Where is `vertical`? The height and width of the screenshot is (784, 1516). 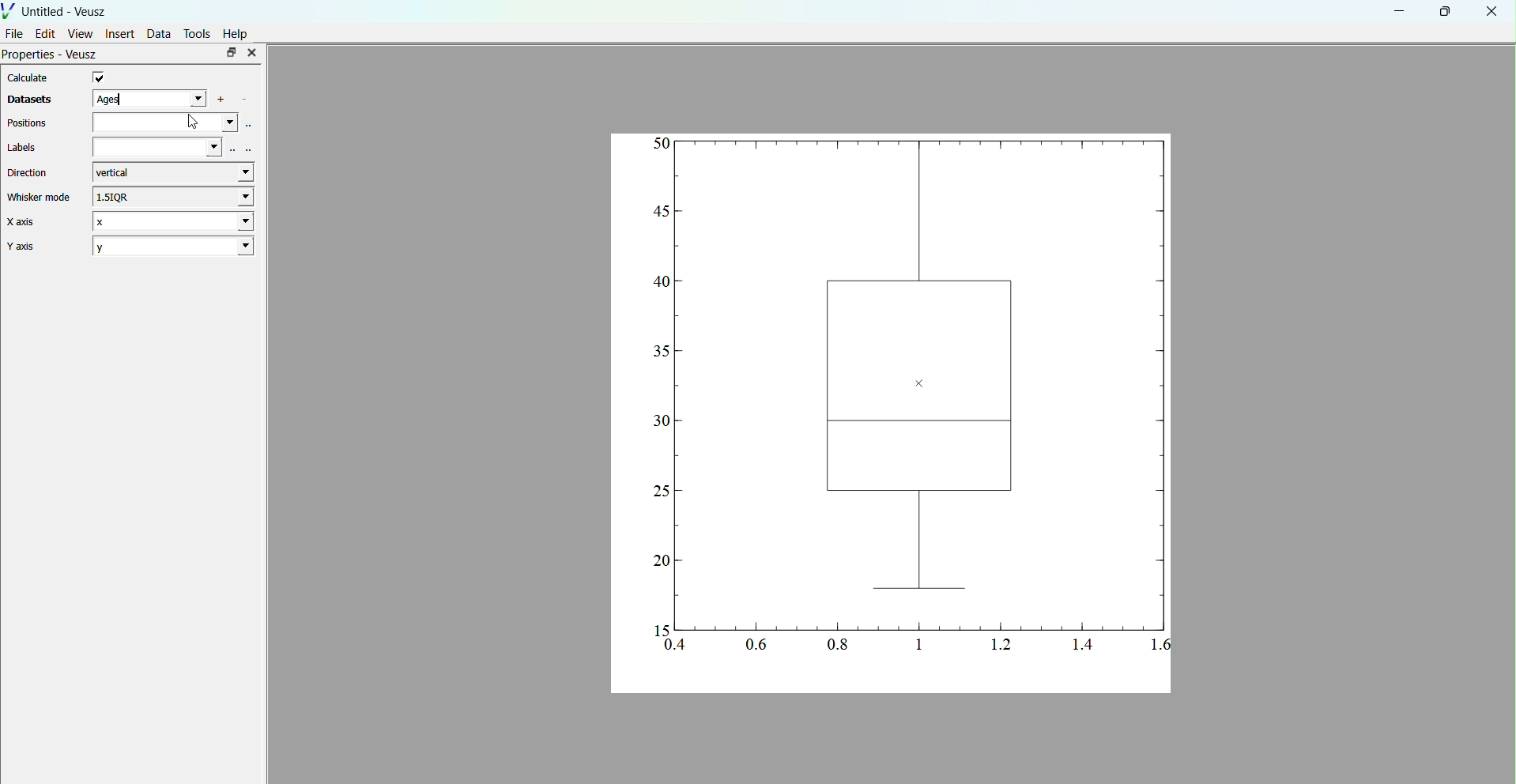
vertical is located at coordinates (177, 172).